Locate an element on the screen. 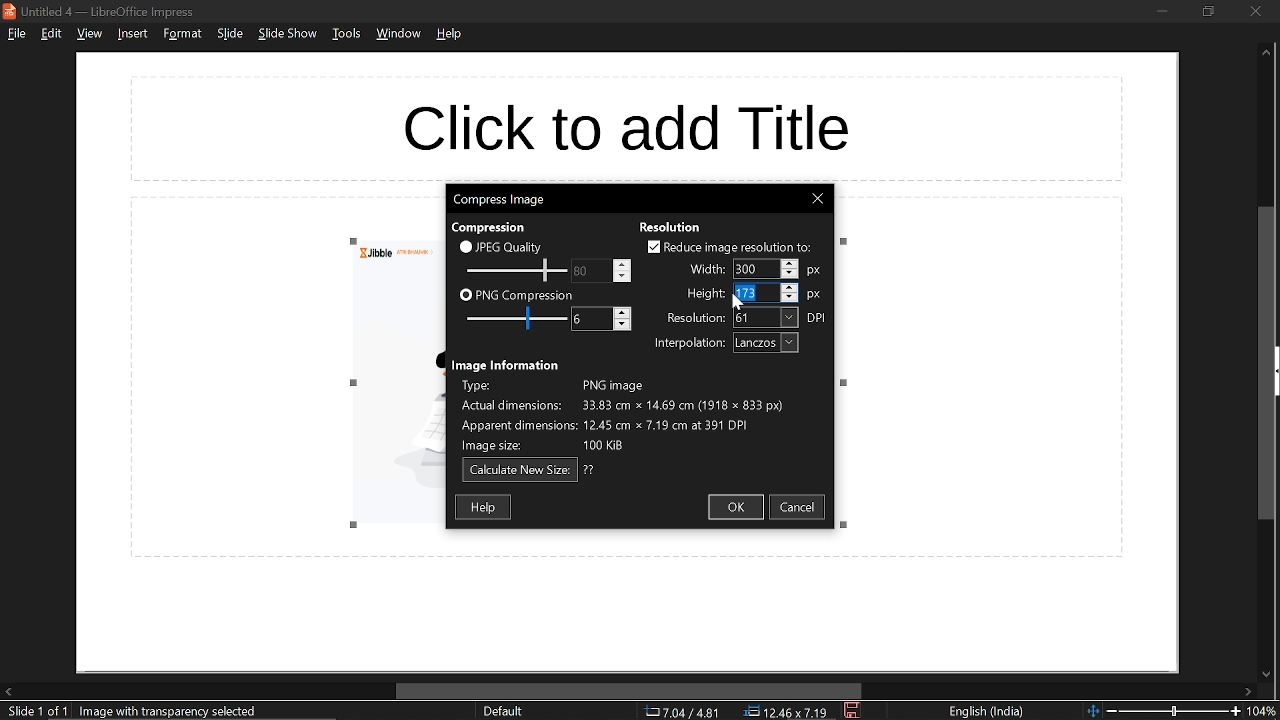 The width and height of the screenshot is (1280, 720). text is located at coordinates (695, 317).